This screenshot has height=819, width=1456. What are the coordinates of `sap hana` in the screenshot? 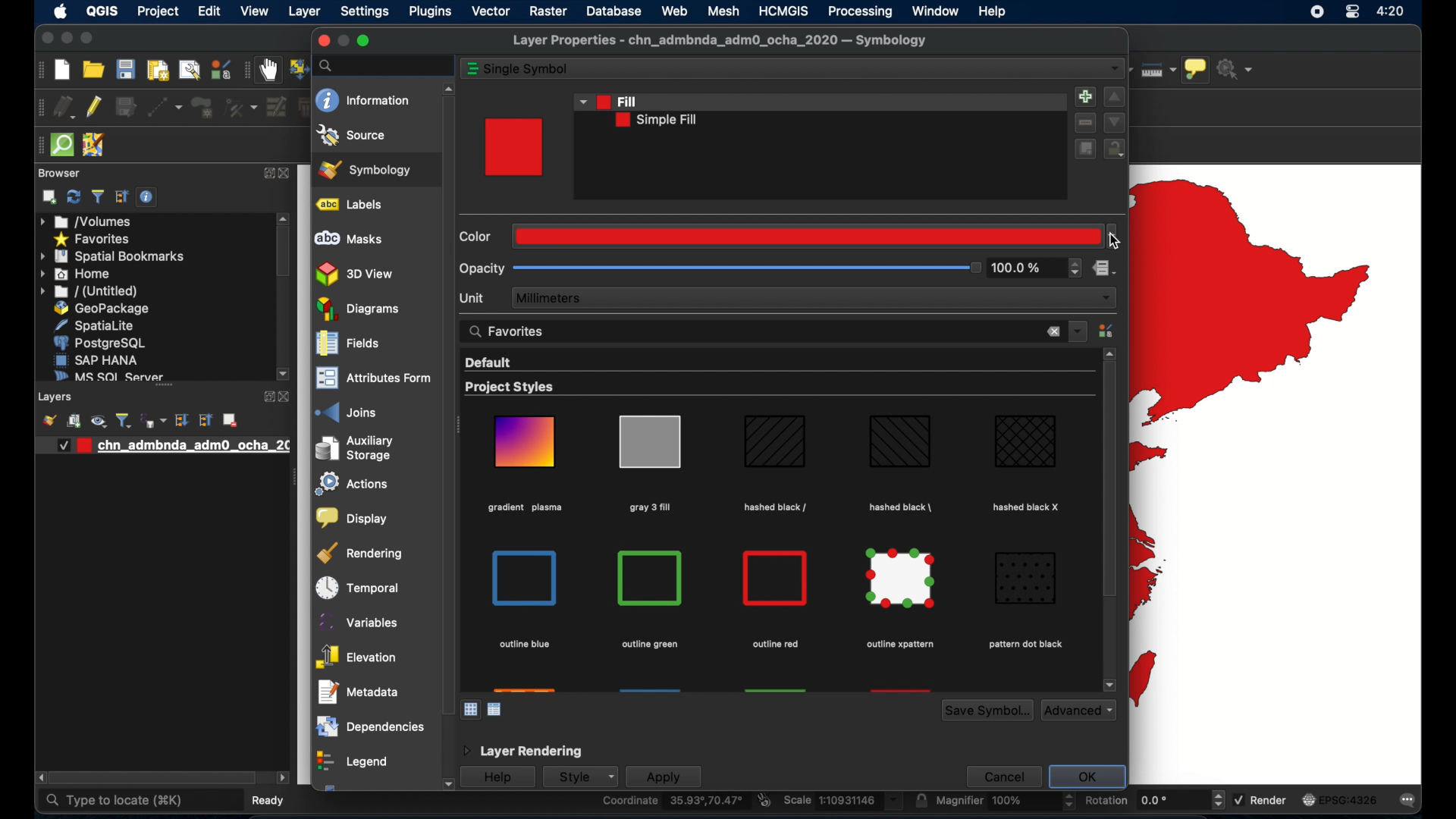 It's located at (96, 359).